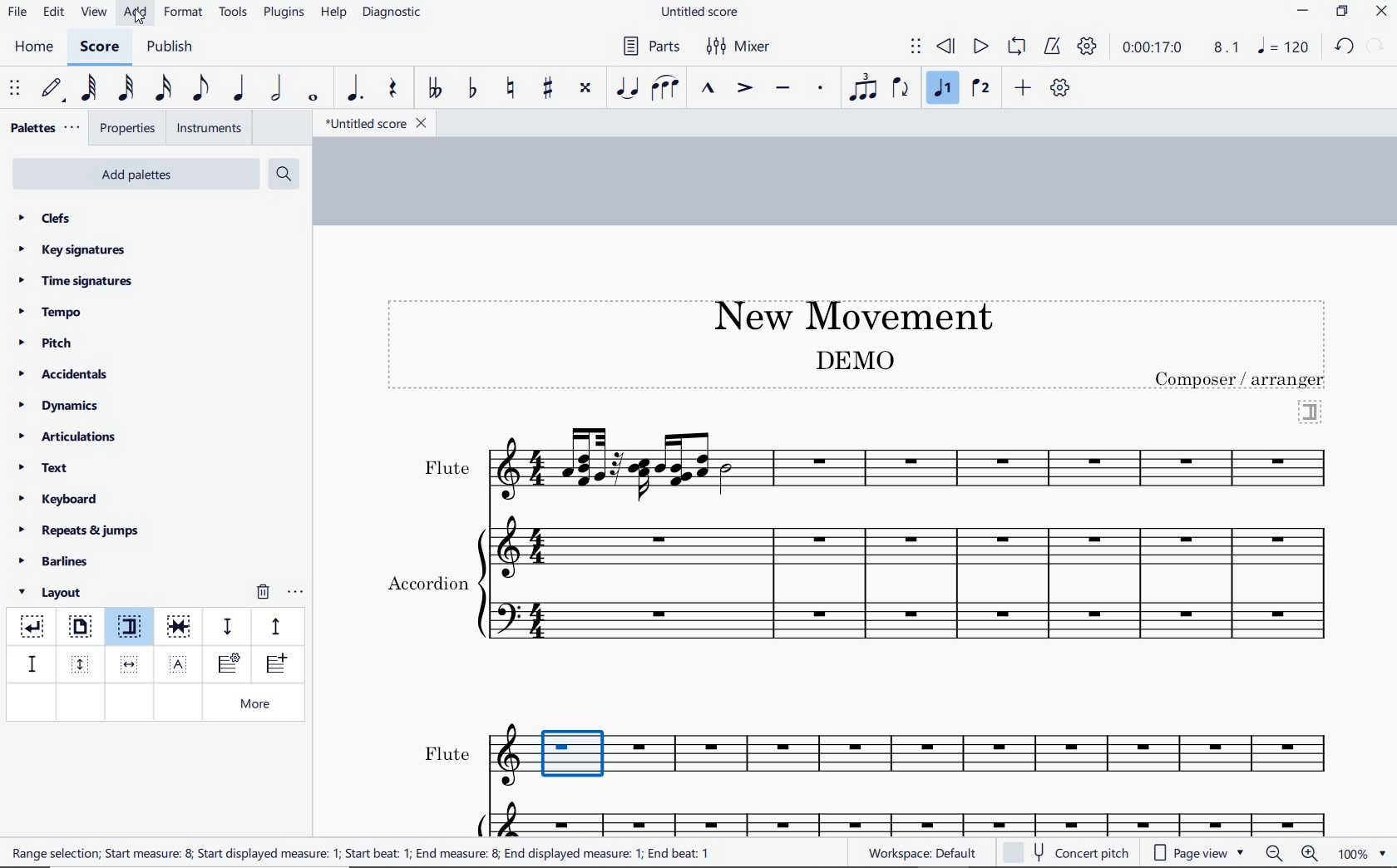  Describe the element at coordinates (446, 468) in the screenshot. I see `text` at that location.